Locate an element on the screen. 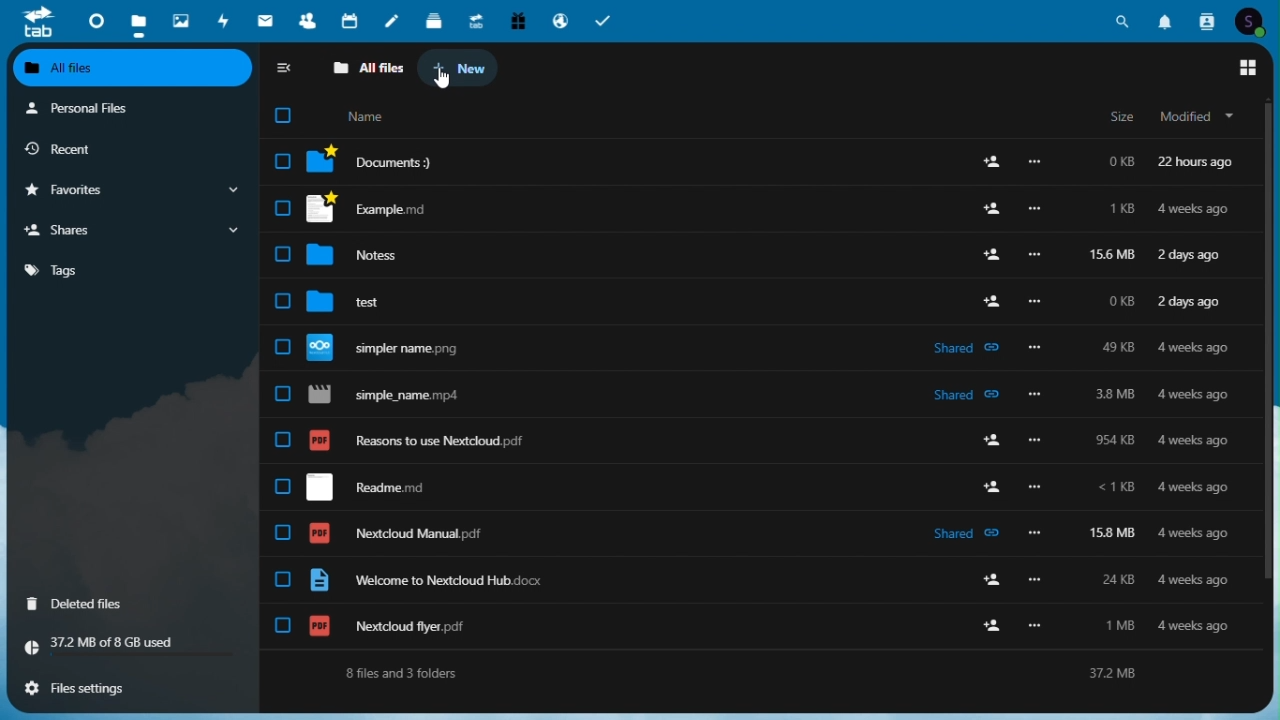 This screenshot has height=720, width=1280. shared is located at coordinates (968, 393).